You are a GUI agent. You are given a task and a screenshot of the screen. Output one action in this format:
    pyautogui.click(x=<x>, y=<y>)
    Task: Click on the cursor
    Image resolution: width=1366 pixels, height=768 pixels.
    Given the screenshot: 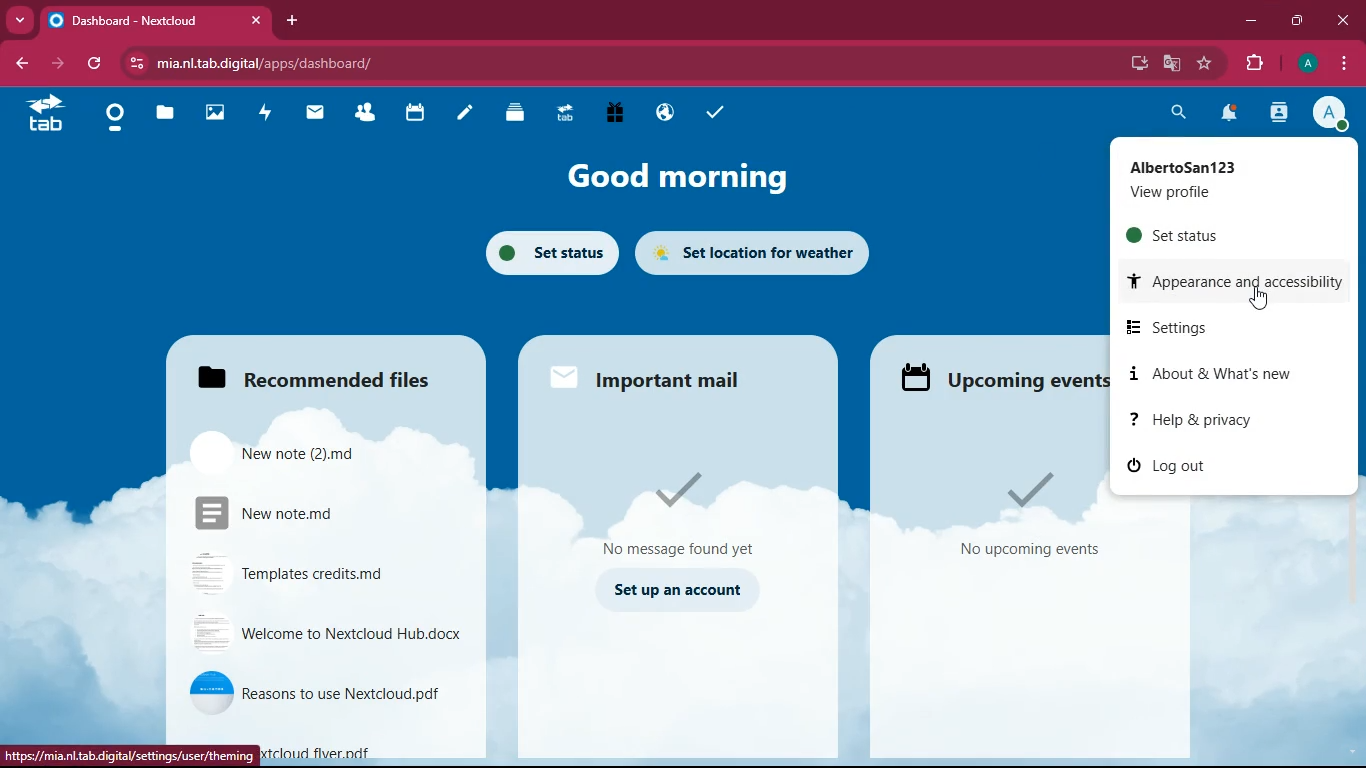 What is the action you would take?
    pyautogui.click(x=1256, y=304)
    